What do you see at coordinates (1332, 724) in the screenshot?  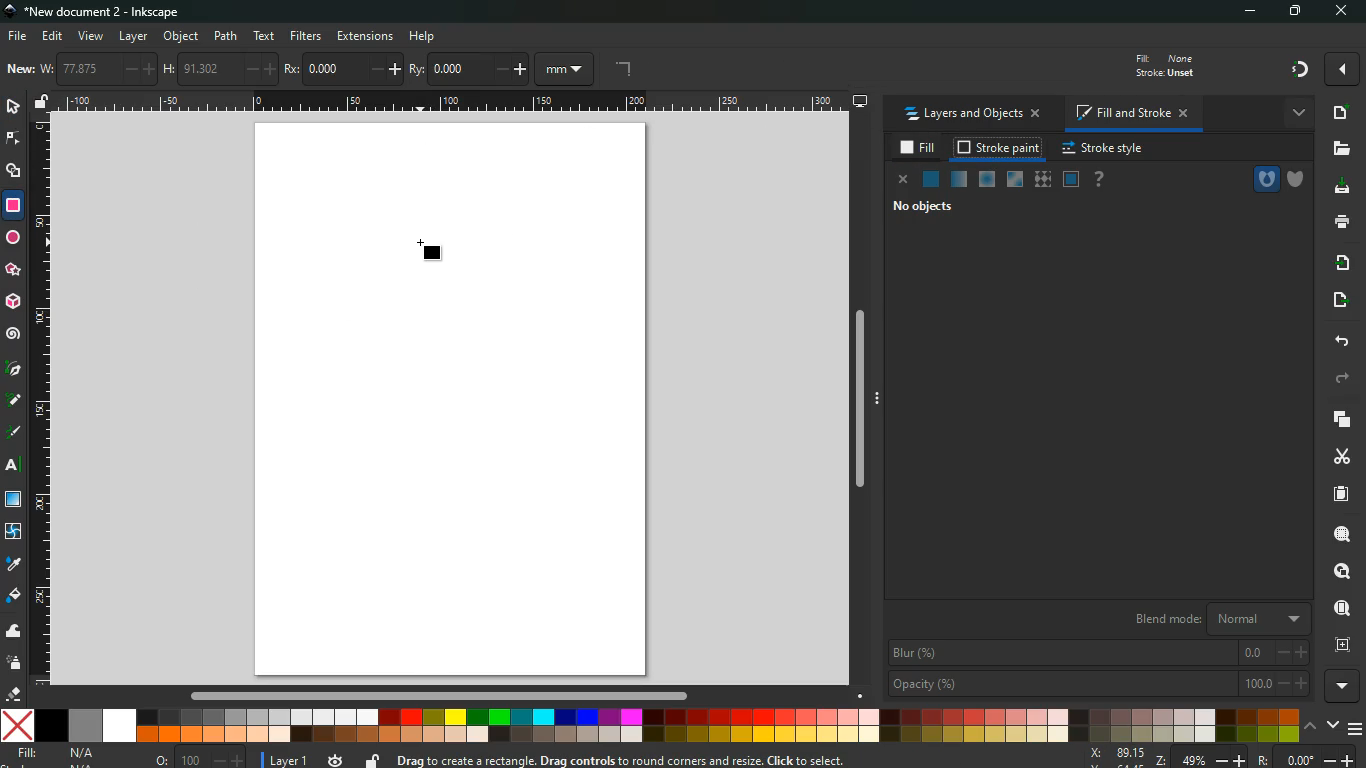 I see `down` at bounding box center [1332, 724].